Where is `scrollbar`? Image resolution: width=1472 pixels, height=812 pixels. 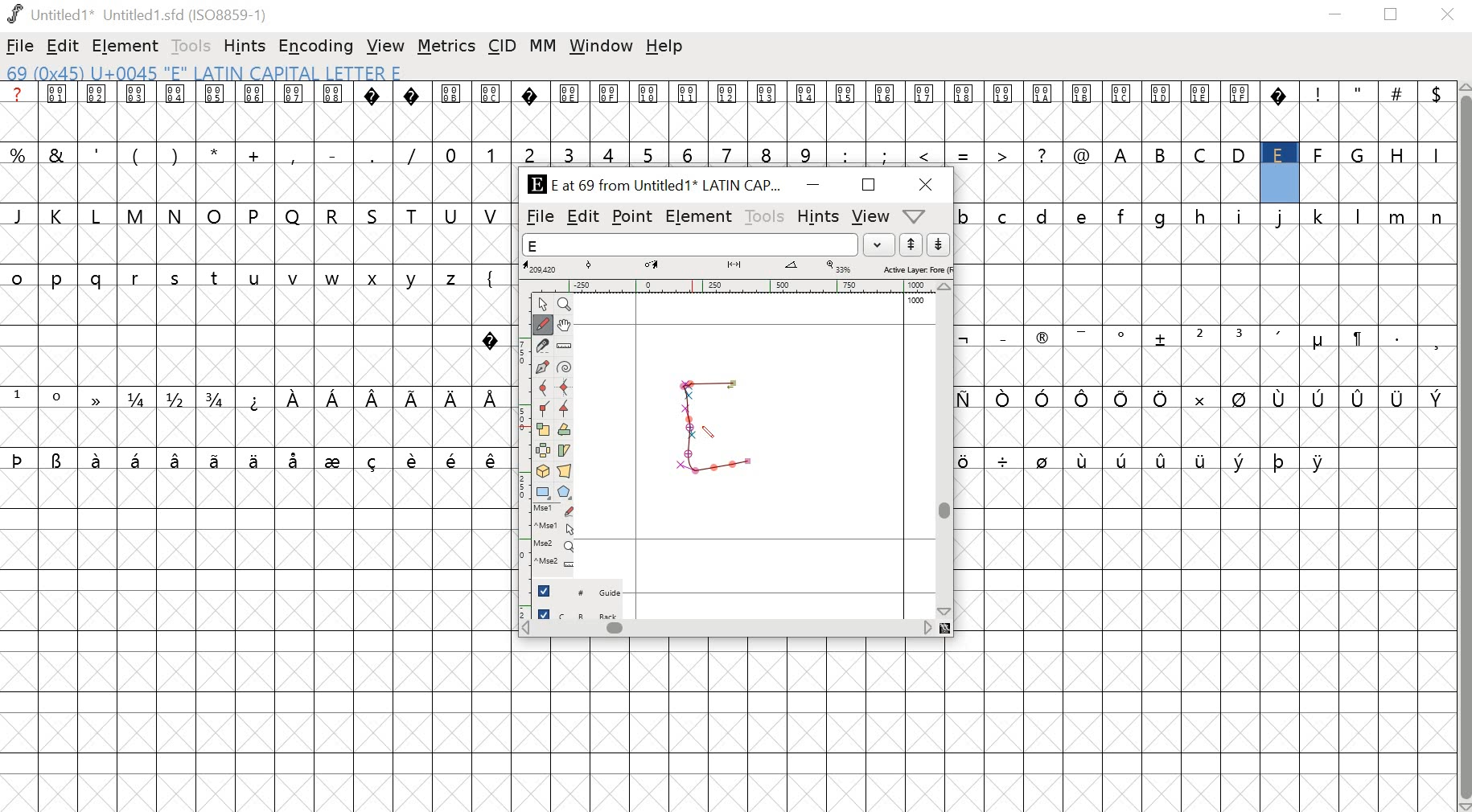
scrollbar is located at coordinates (1463, 446).